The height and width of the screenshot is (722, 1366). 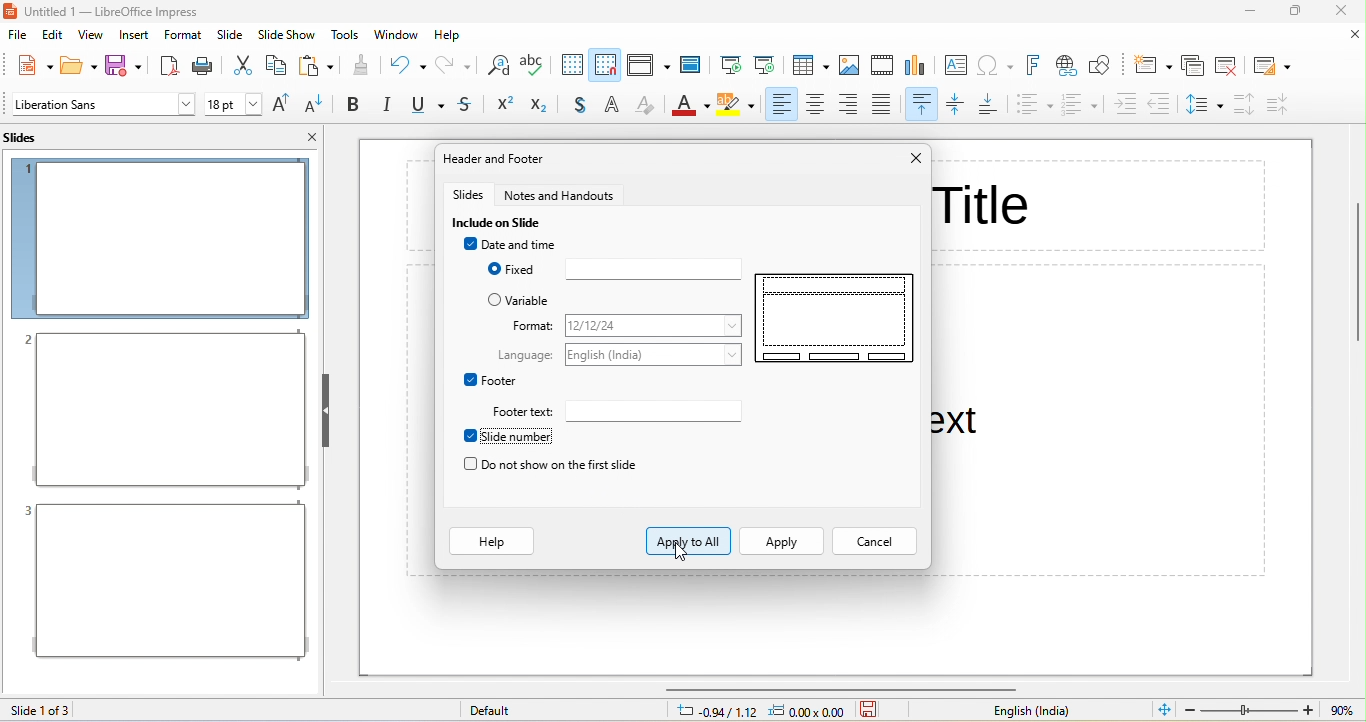 I want to click on text, so click(x=533, y=324).